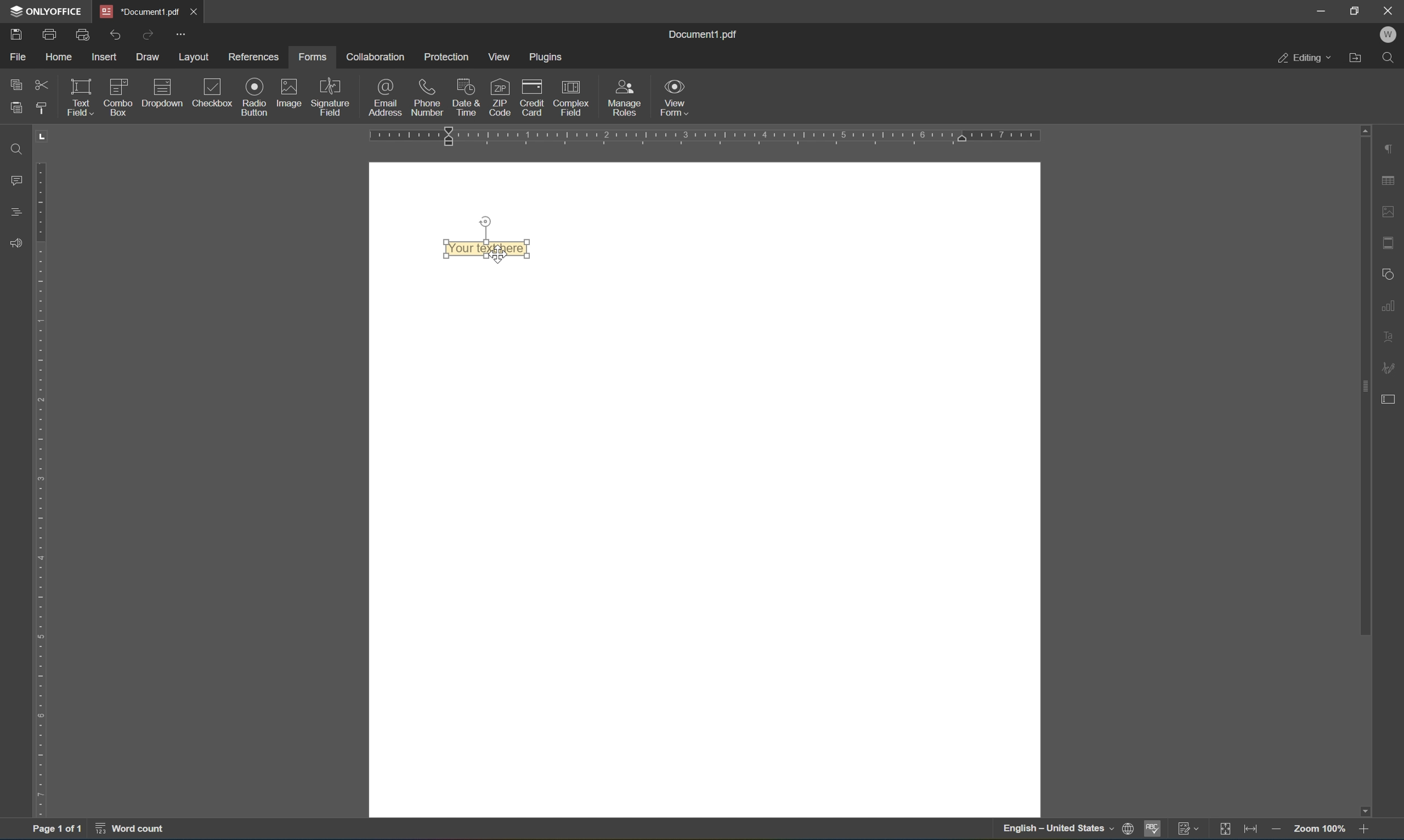 This screenshot has width=1404, height=840. What do you see at coordinates (1390, 179) in the screenshot?
I see `table settings` at bounding box center [1390, 179].